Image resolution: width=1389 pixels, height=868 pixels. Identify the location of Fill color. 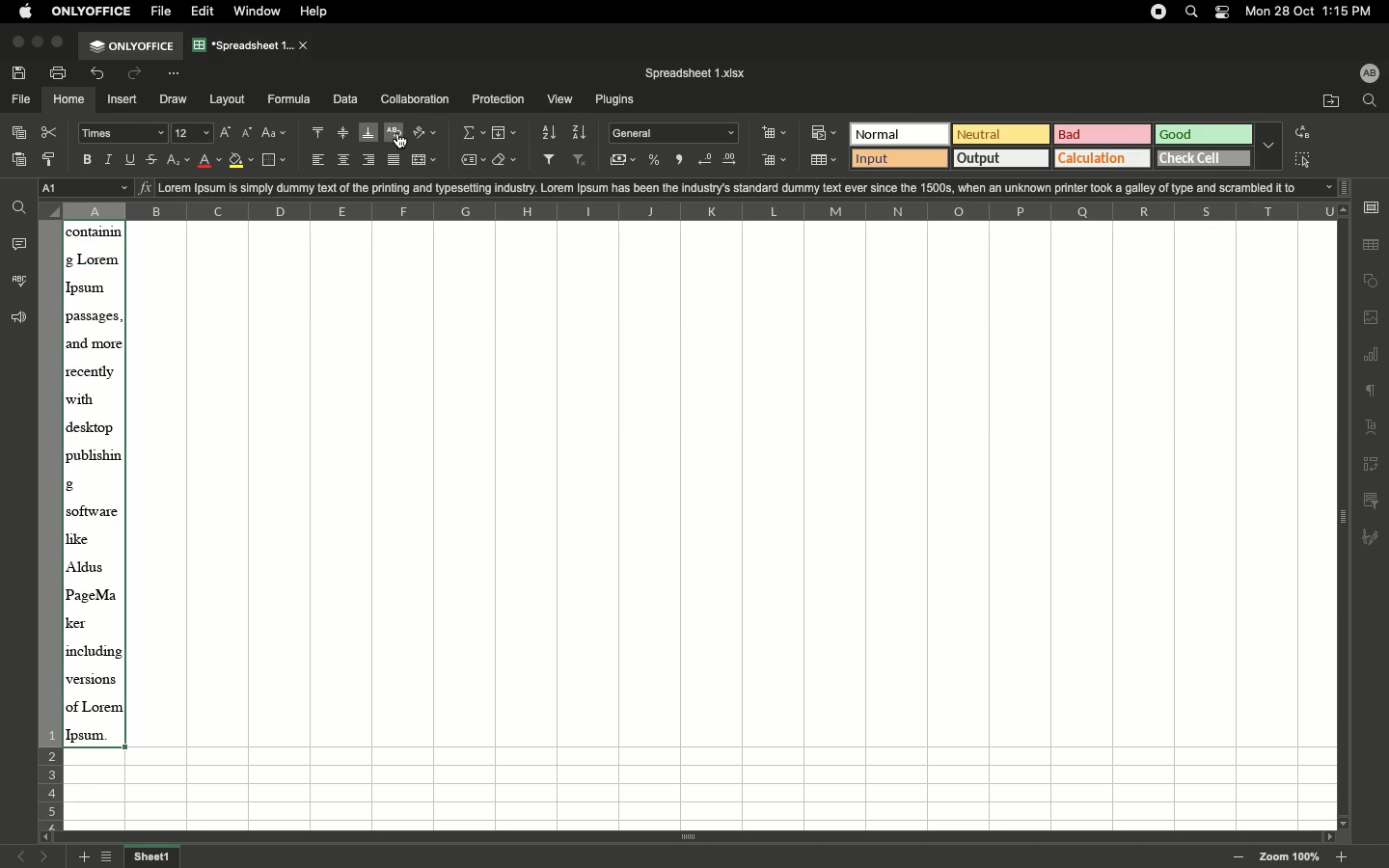
(241, 162).